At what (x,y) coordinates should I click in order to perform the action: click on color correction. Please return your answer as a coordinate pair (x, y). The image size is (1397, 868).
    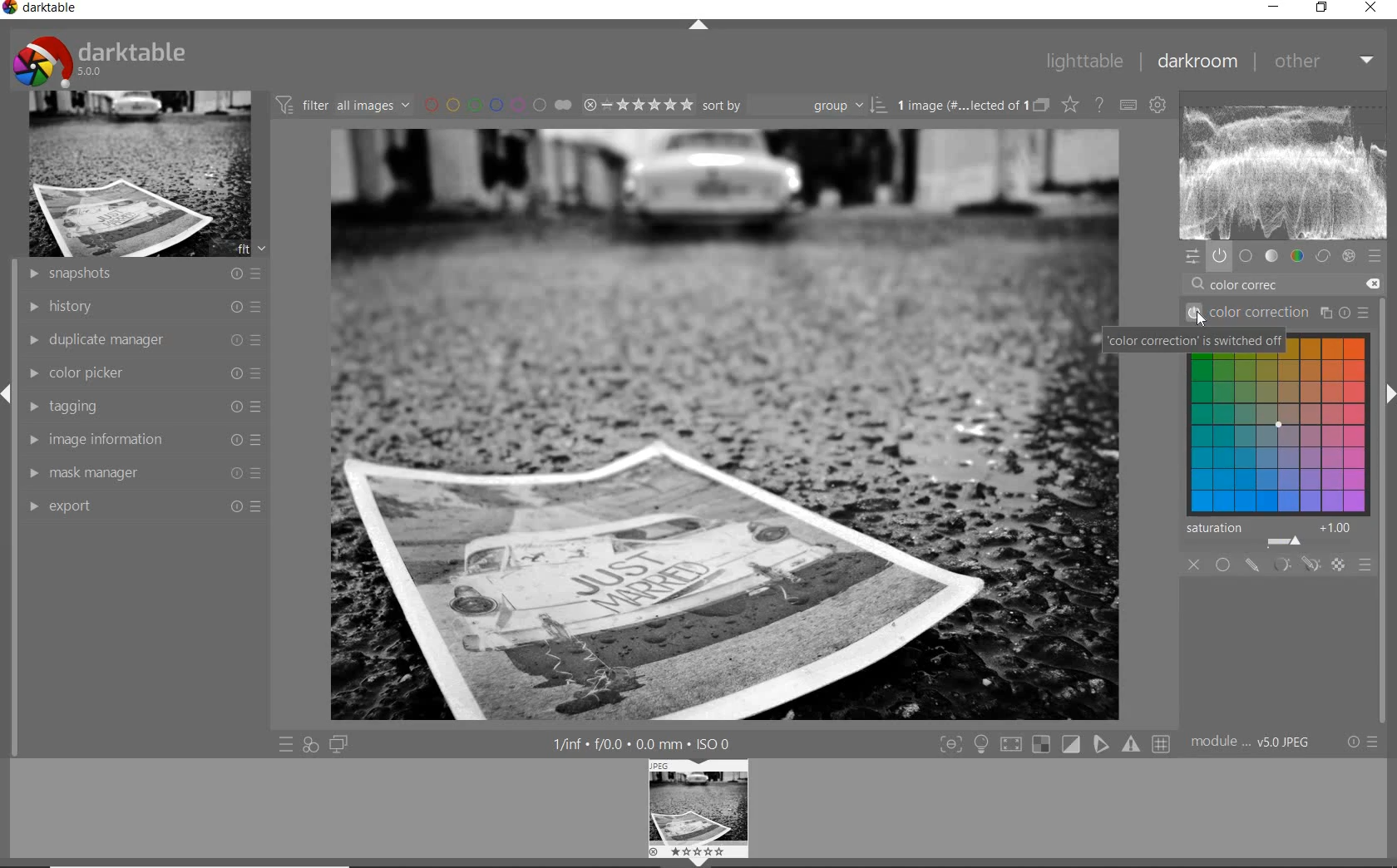
    Looking at the image, I should click on (1292, 314).